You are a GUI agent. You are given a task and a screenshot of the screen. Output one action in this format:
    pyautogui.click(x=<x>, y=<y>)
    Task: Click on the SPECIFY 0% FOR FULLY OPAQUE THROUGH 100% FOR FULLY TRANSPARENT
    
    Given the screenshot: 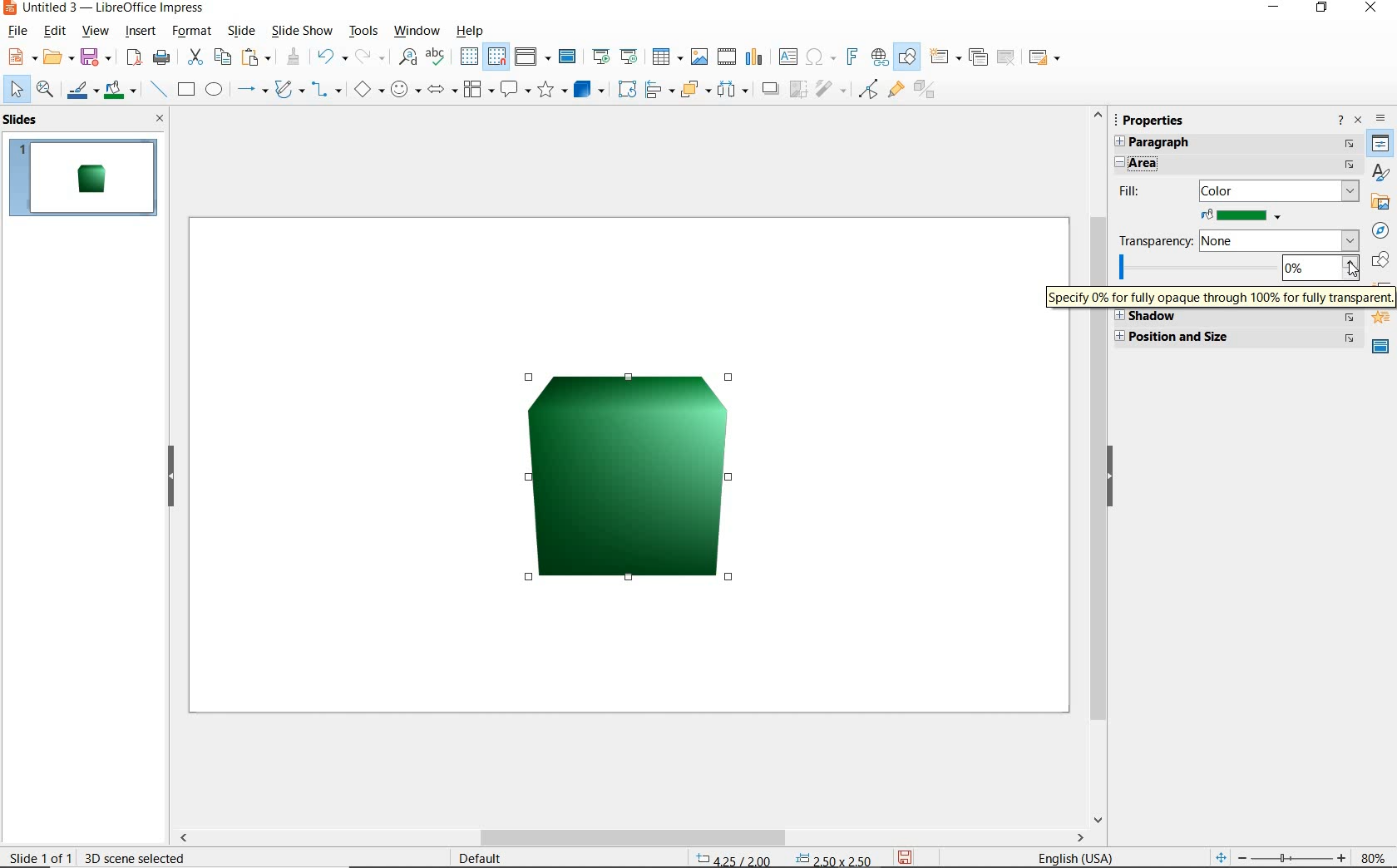 What is the action you would take?
    pyautogui.click(x=1218, y=296)
    